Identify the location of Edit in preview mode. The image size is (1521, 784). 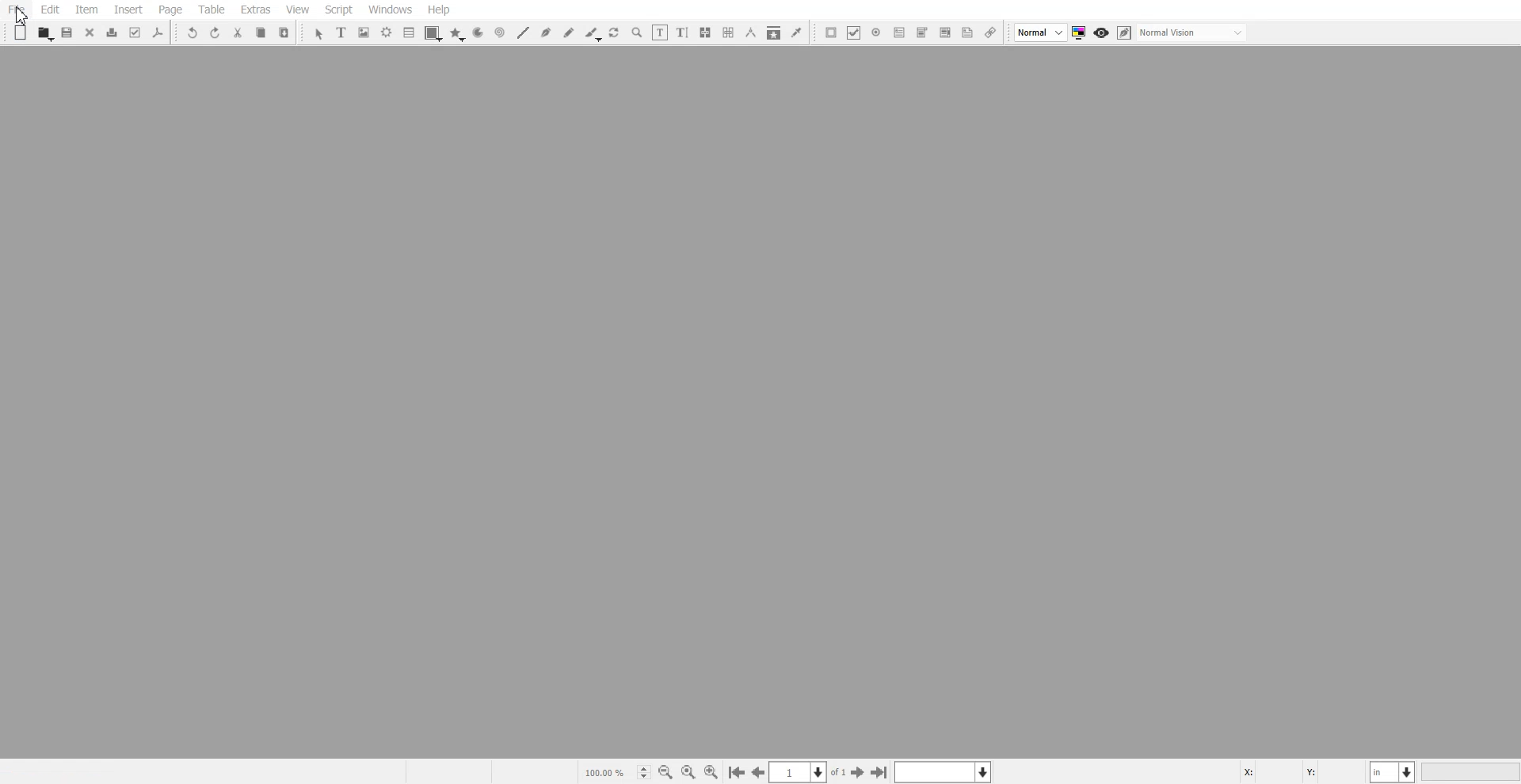
(1125, 32).